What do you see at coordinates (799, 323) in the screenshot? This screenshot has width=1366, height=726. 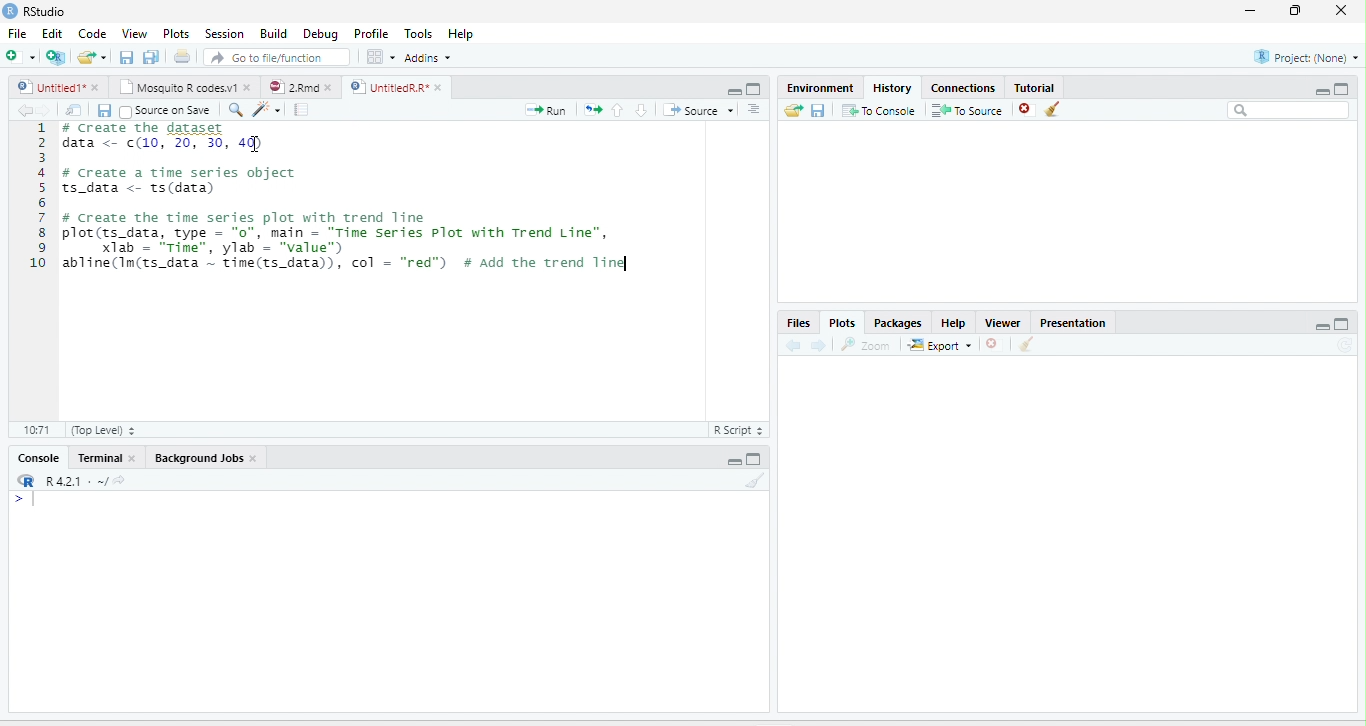 I see `Files` at bounding box center [799, 323].